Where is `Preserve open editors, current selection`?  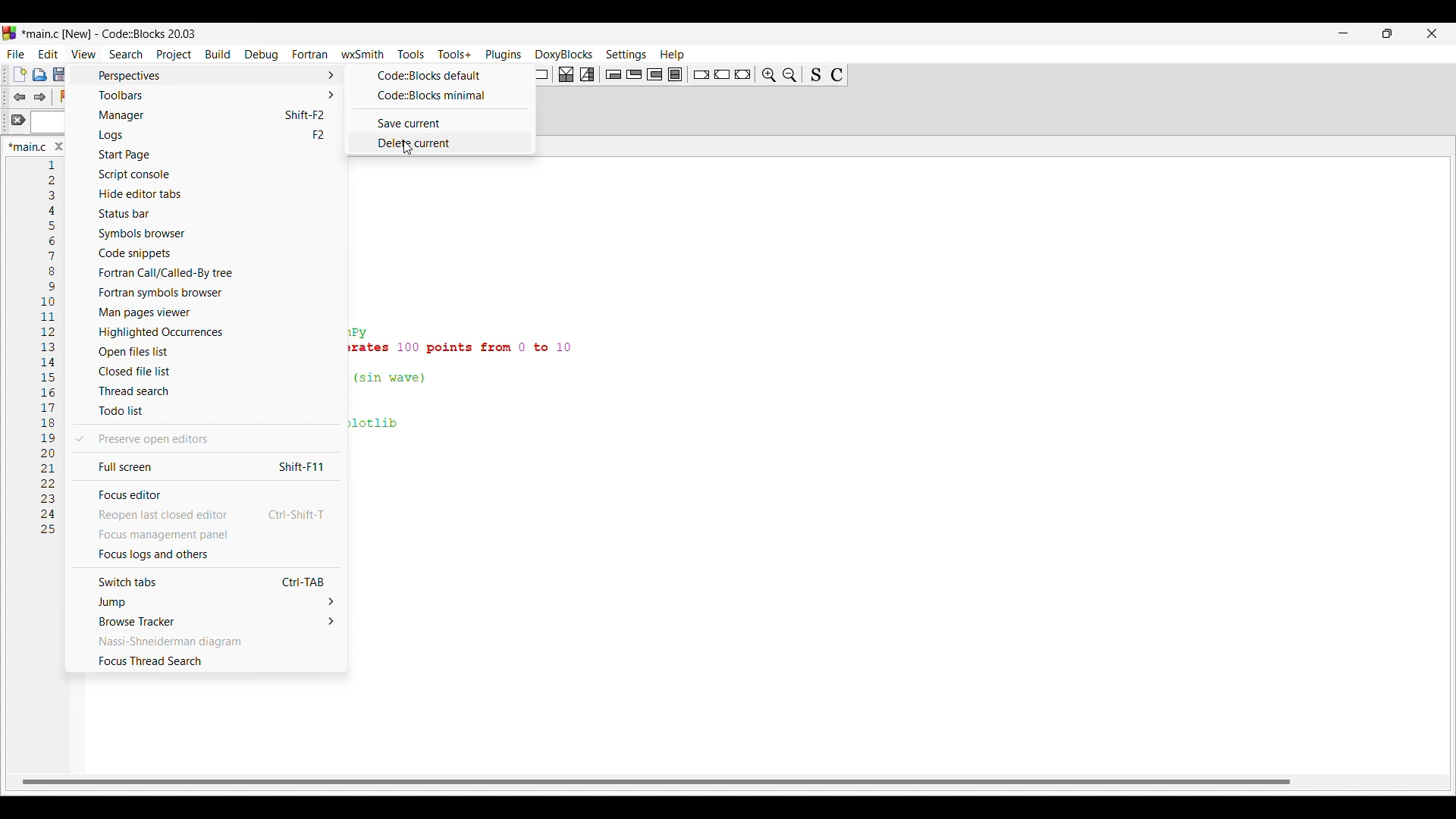 Preserve open editors, current selection is located at coordinates (204, 439).